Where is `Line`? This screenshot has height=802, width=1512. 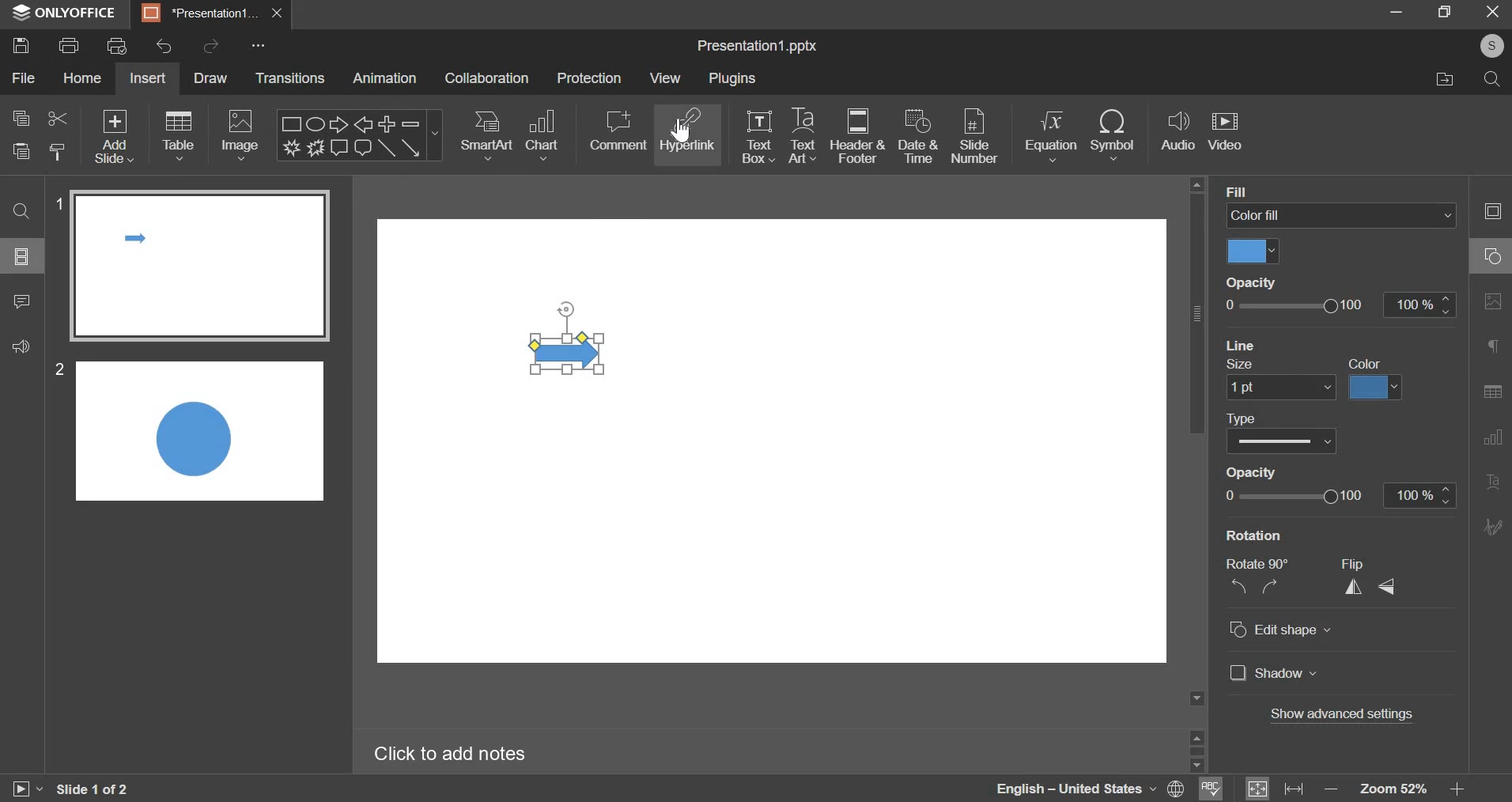 Line is located at coordinates (1242, 346).